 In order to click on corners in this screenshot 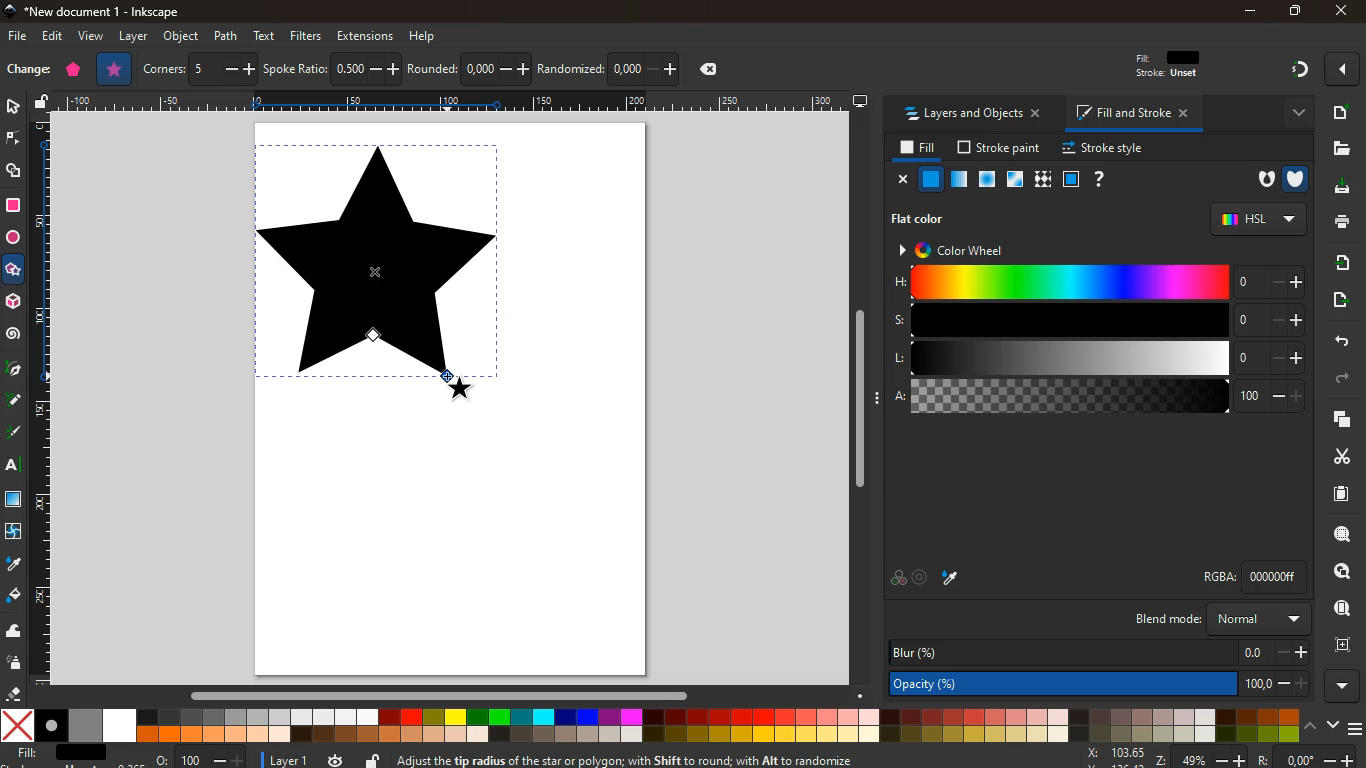, I will do `click(201, 70)`.